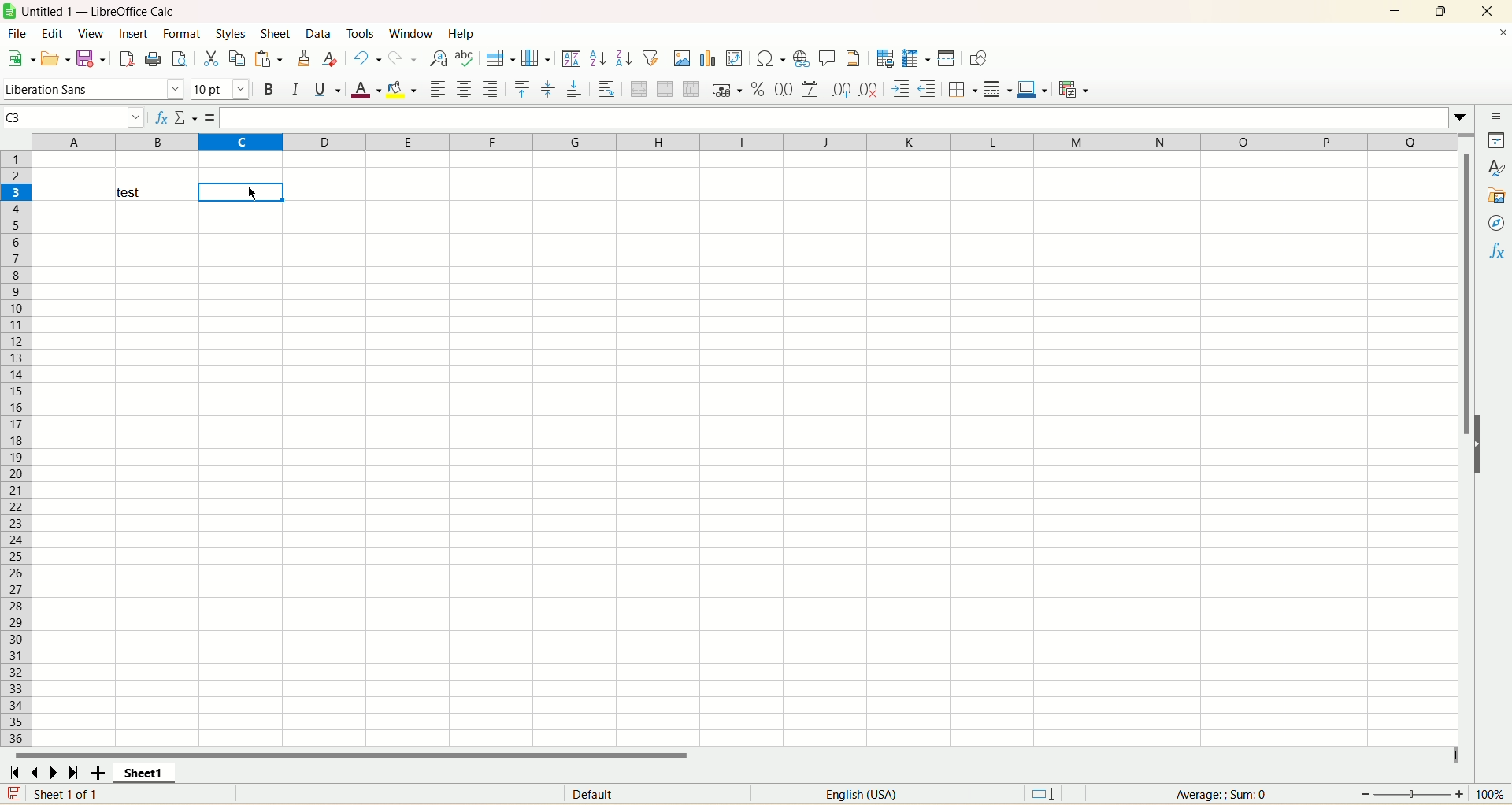 This screenshot has width=1512, height=805. What do you see at coordinates (68, 793) in the screenshot?
I see `sheet 1 of 1` at bounding box center [68, 793].